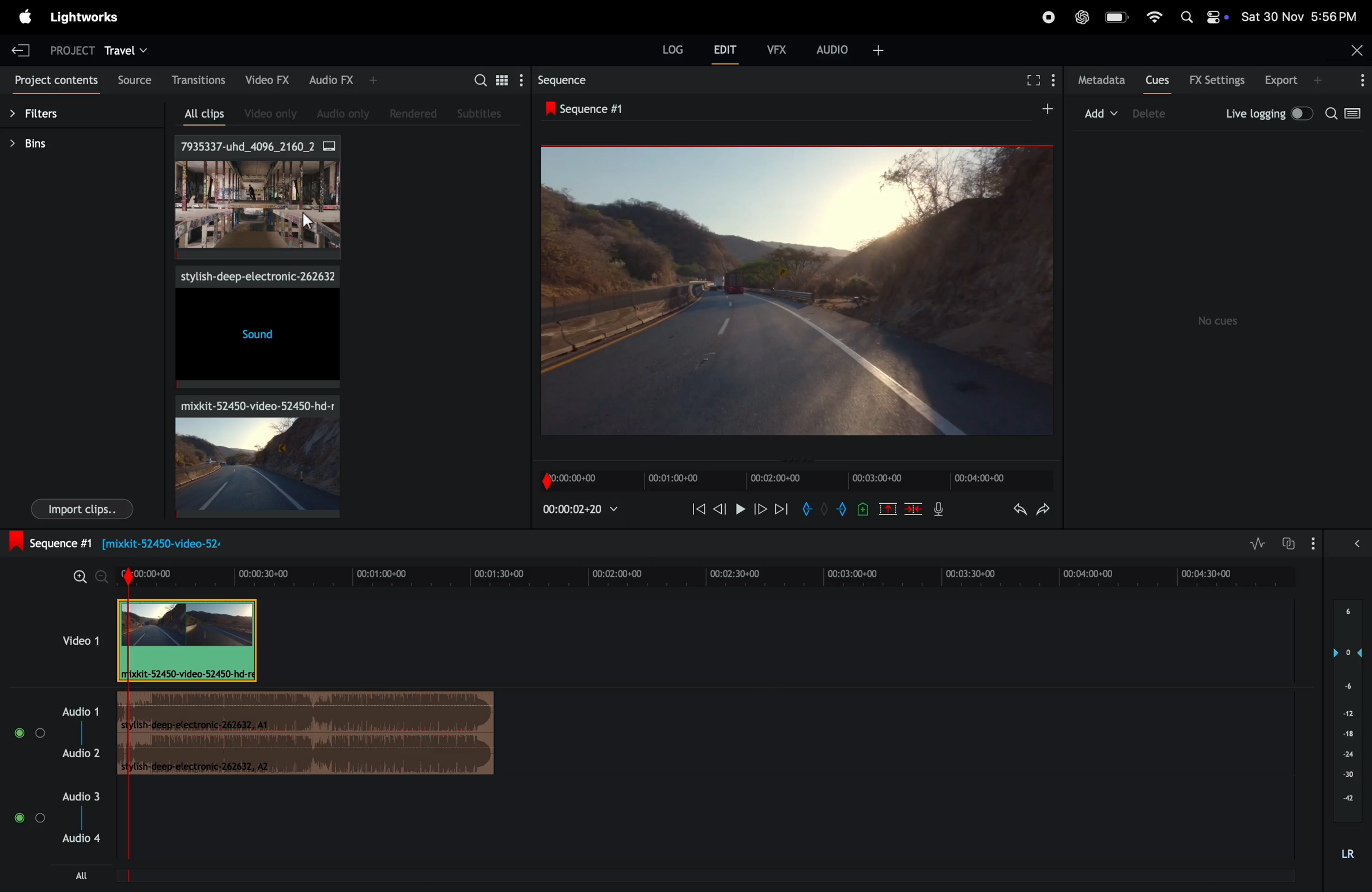  Describe the element at coordinates (761, 511) in the screenshot. I see `next frame` at that location.